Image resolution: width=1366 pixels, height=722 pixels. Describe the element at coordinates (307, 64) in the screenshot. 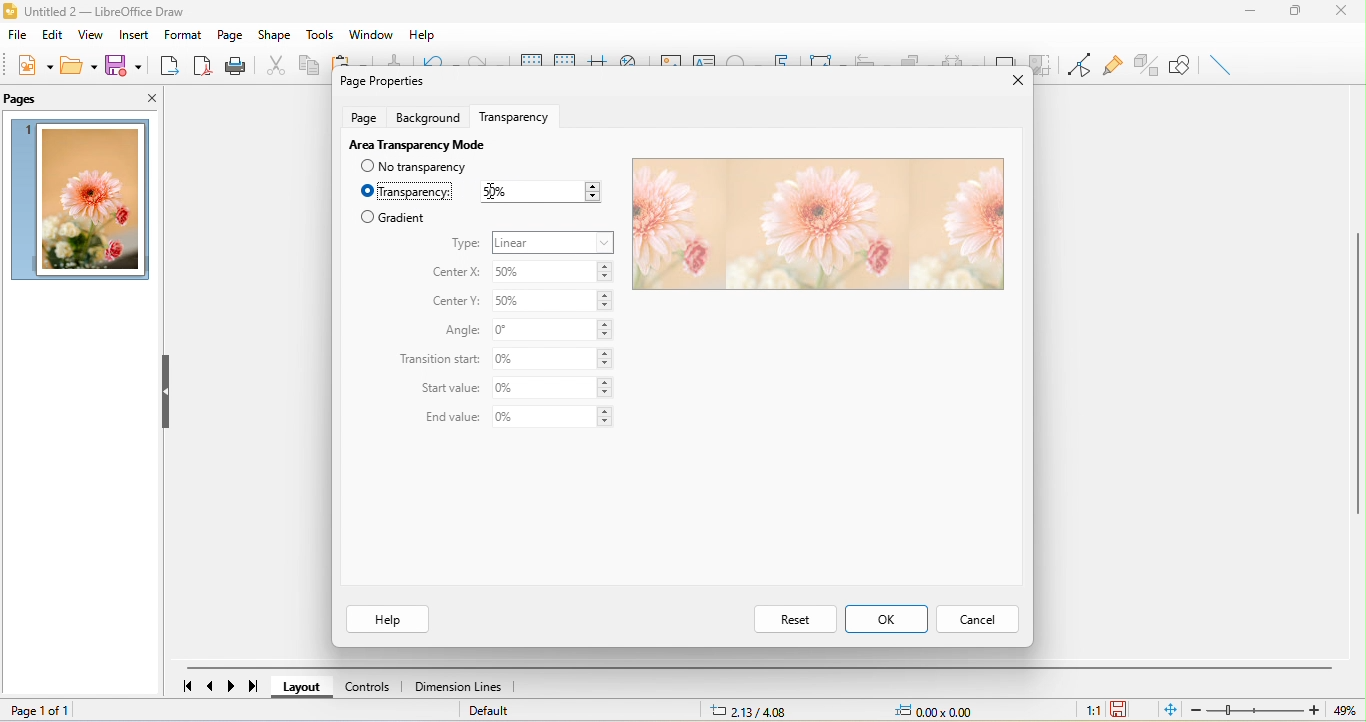

I see `copy` at that location.